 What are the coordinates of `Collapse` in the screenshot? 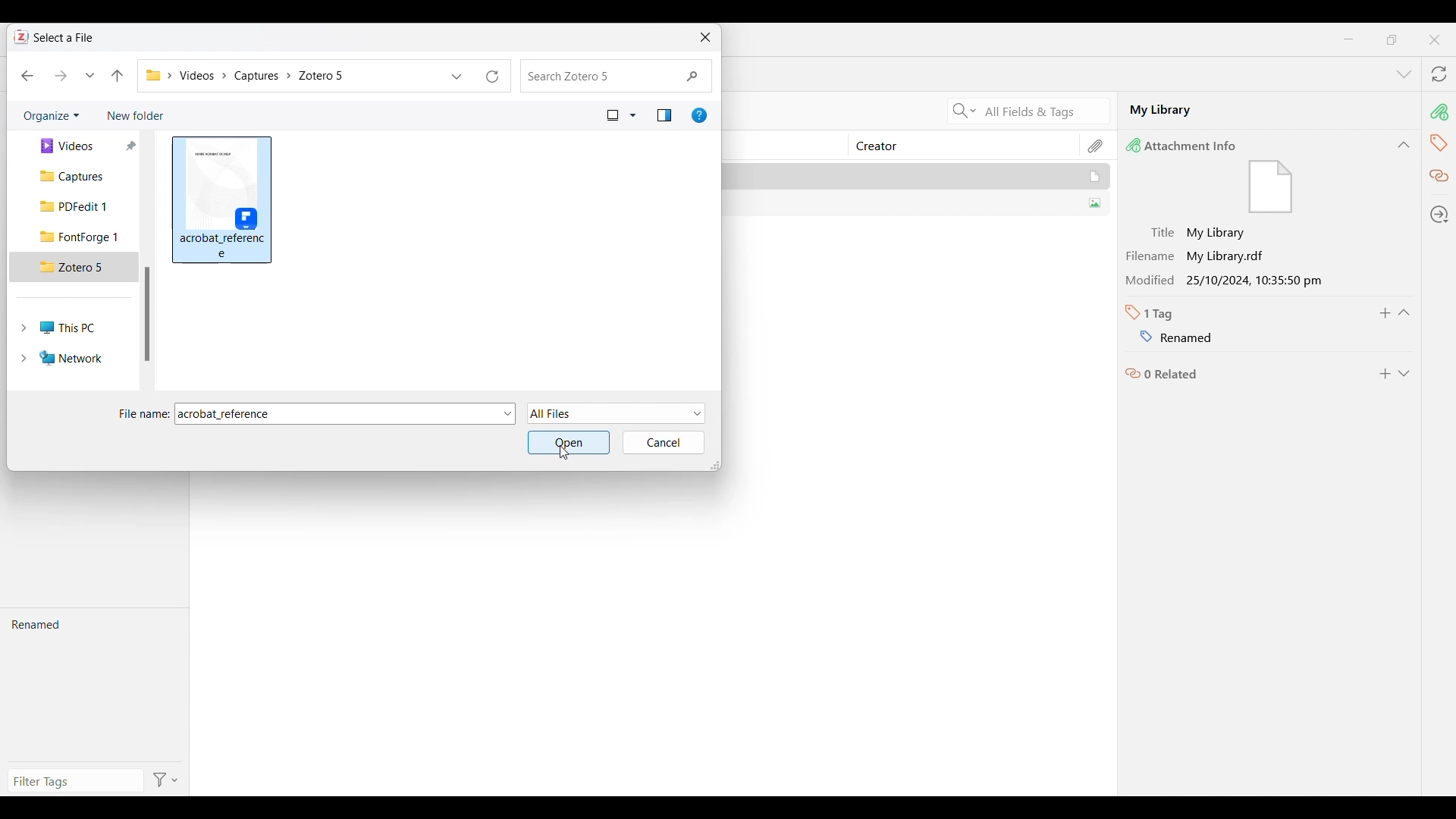 It's located at (1404, 312).